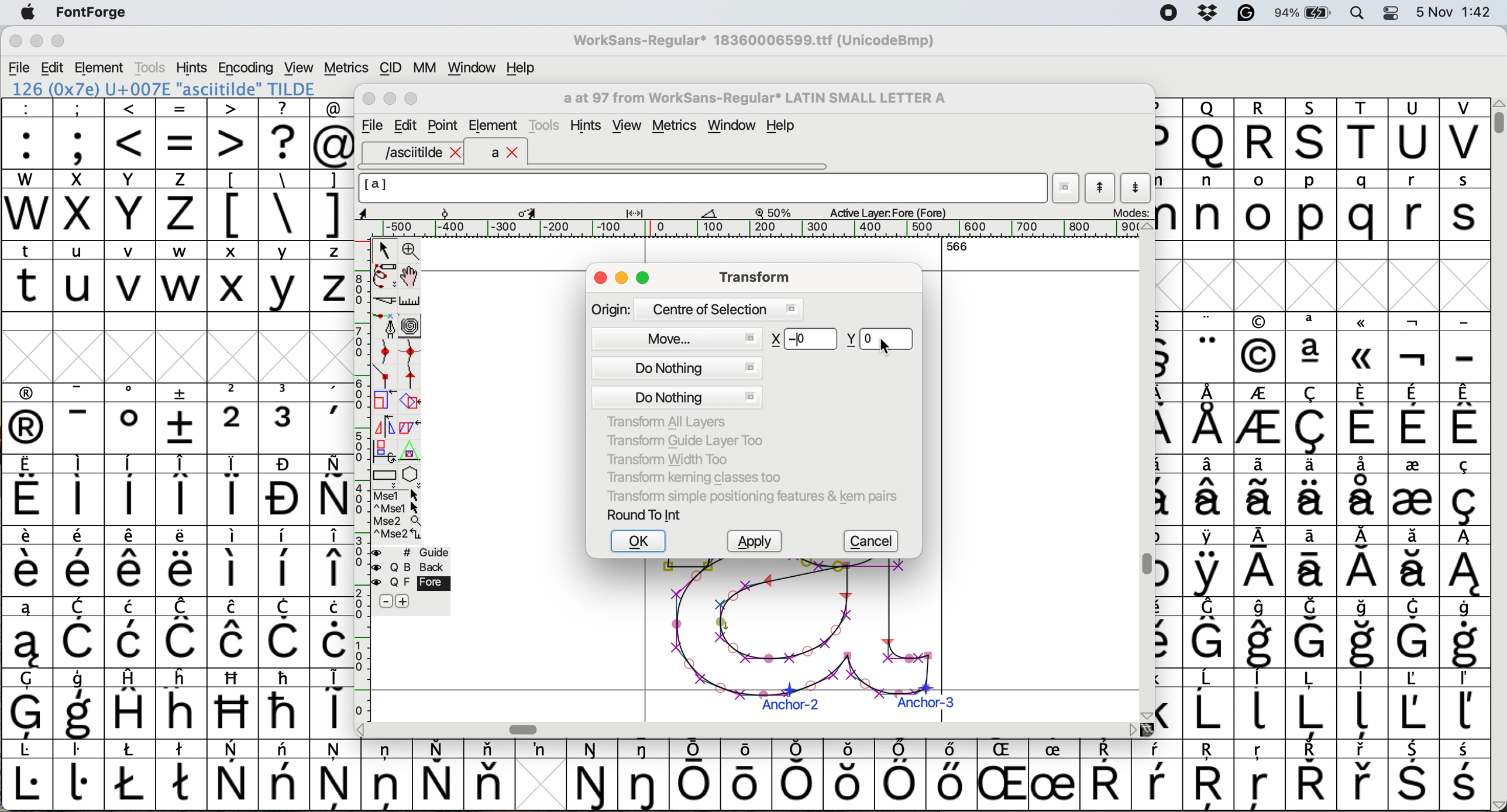 The height and width of the screenshot is (812, 1507). What do you see at coordinates (332, 701) in the screenshot?
I see `symbol` at bounding box center [332, 701].